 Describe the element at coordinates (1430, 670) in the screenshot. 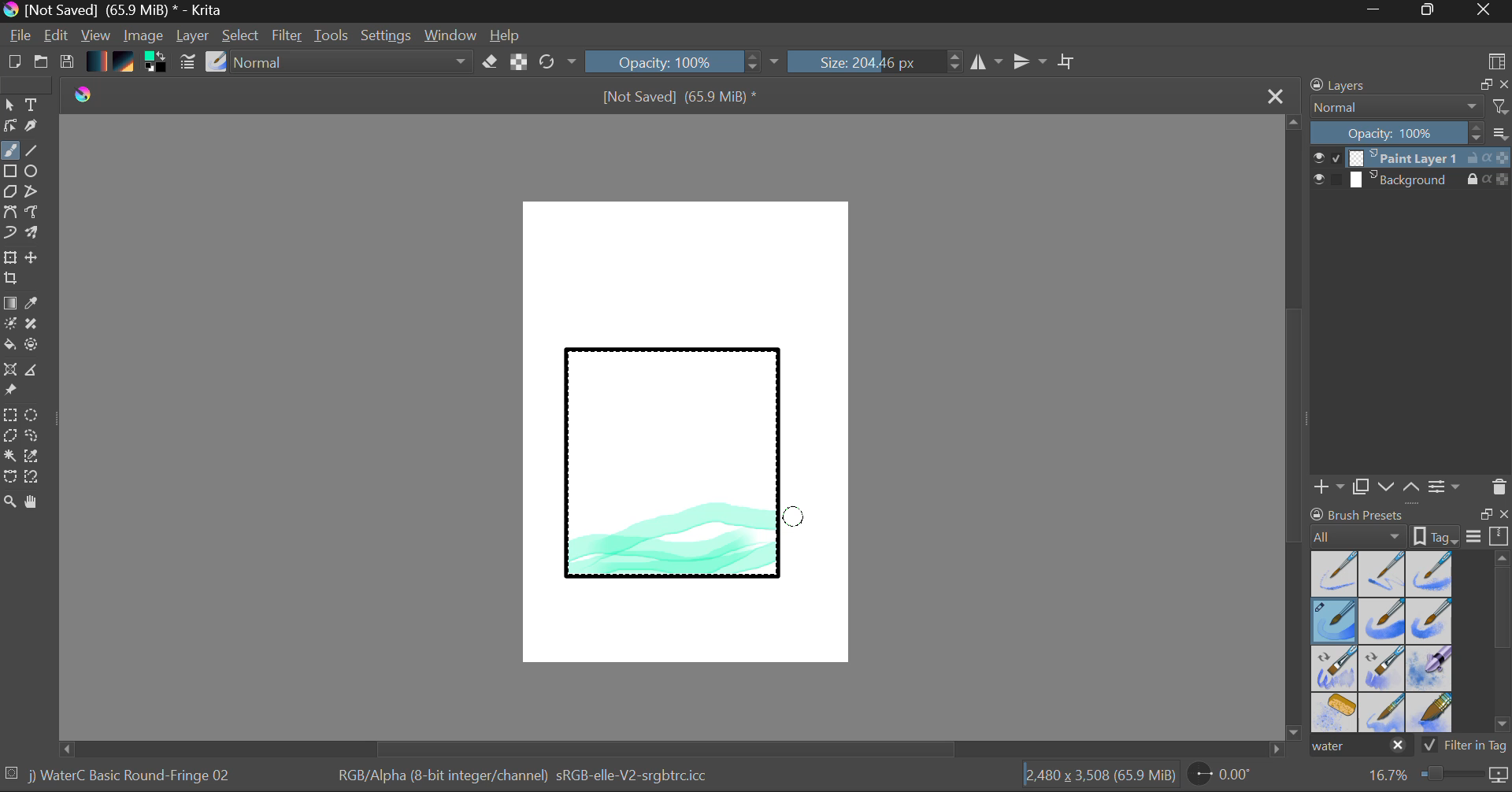

I see `Water C - Special Blobs` at that location.